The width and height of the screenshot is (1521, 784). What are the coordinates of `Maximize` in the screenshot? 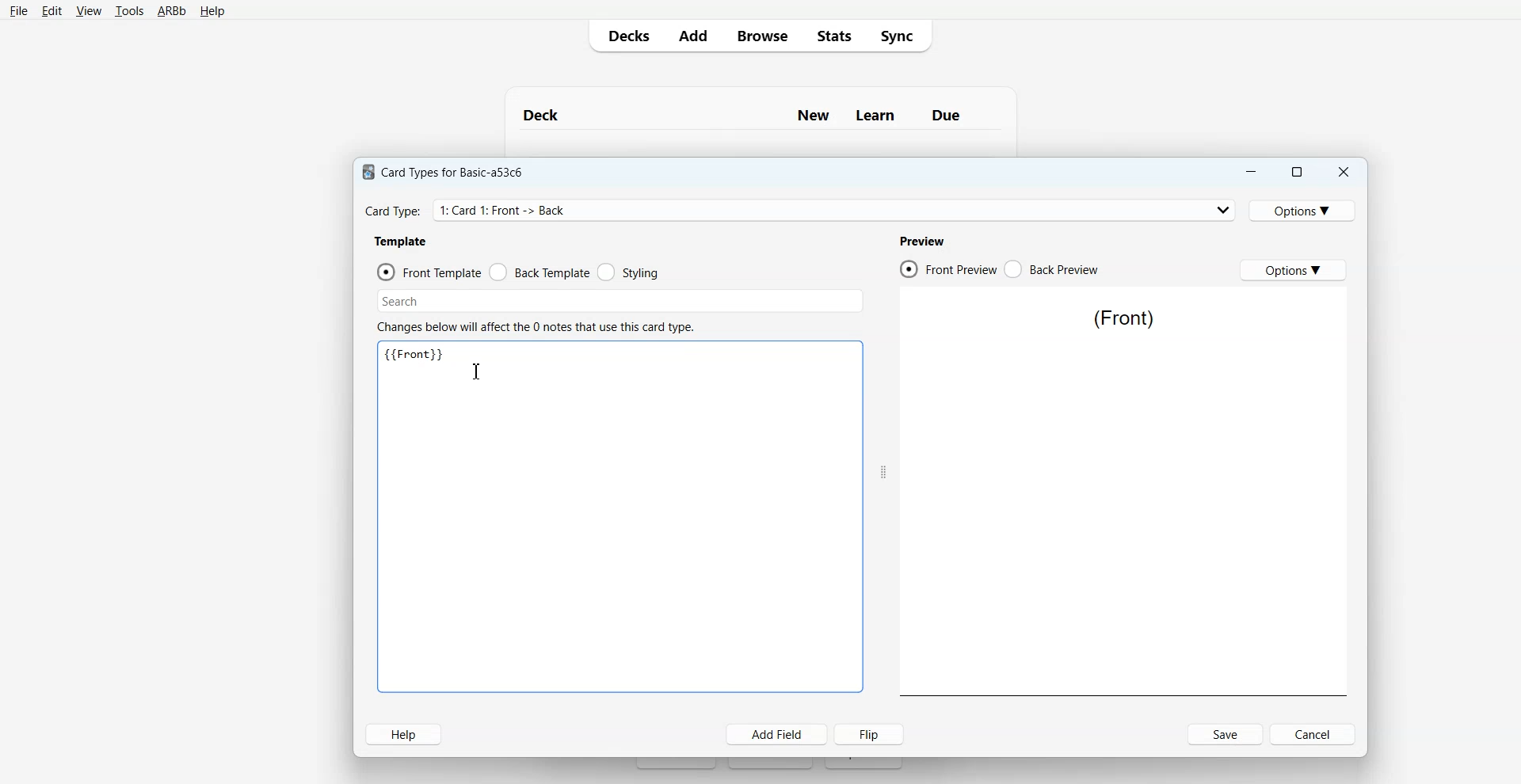 It's located at (1295, 172).